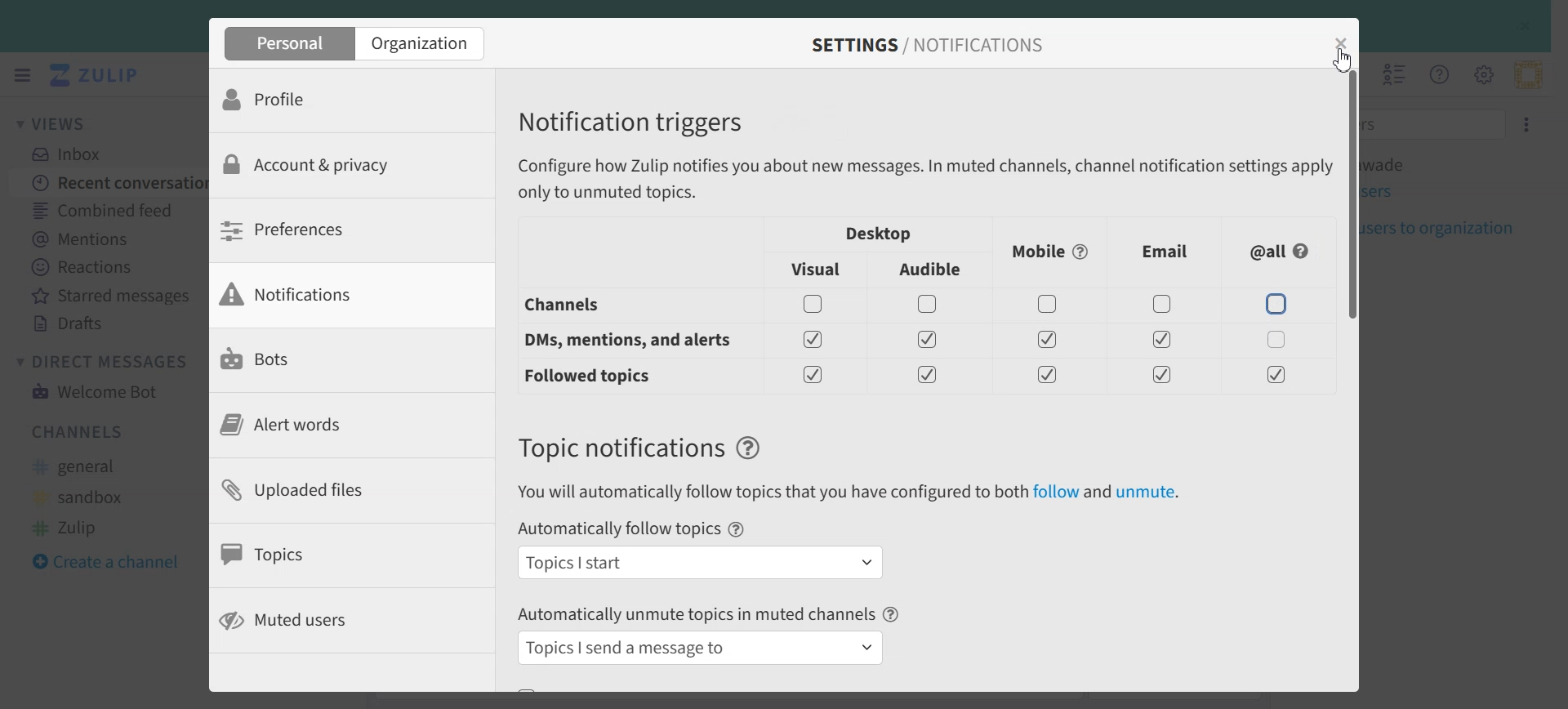  What do you see at coordinates (737, 529) in the screenshot?
I see `Help` at bounding box center [737, 529].